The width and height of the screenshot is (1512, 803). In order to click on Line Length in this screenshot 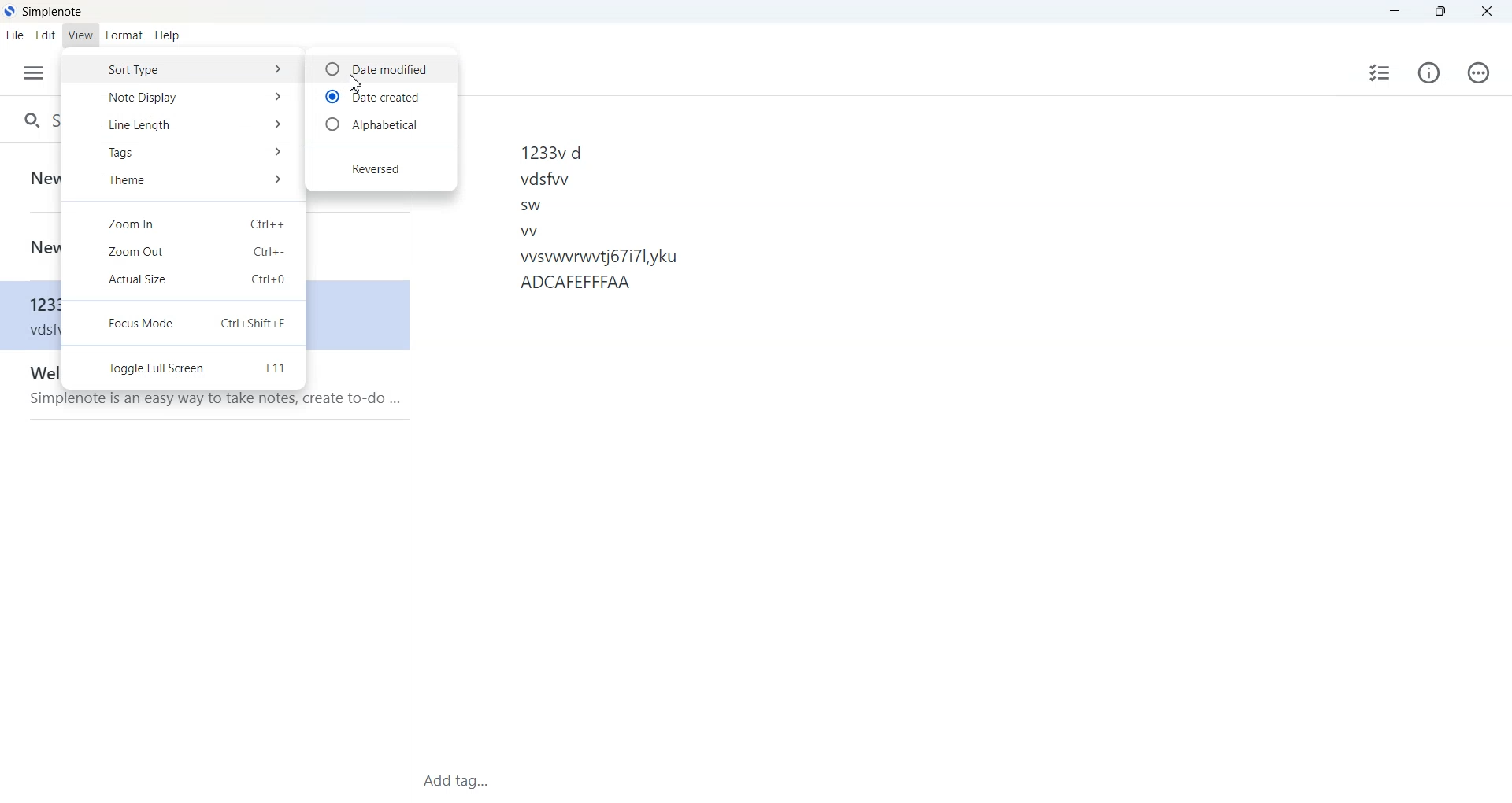, I will do `click(183, 123)`.